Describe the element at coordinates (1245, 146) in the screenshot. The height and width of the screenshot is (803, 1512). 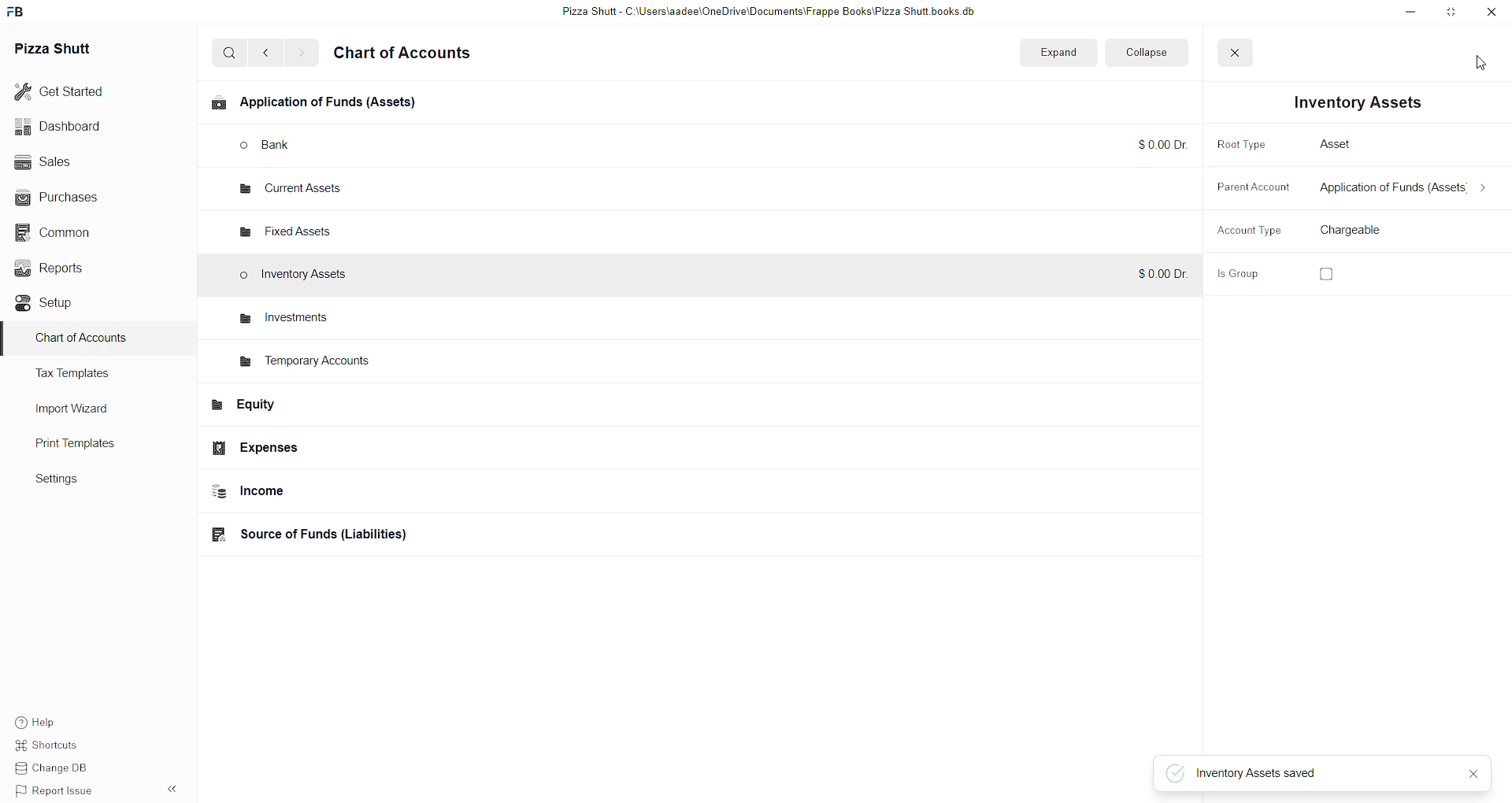
I see `Root Type ` at that location.